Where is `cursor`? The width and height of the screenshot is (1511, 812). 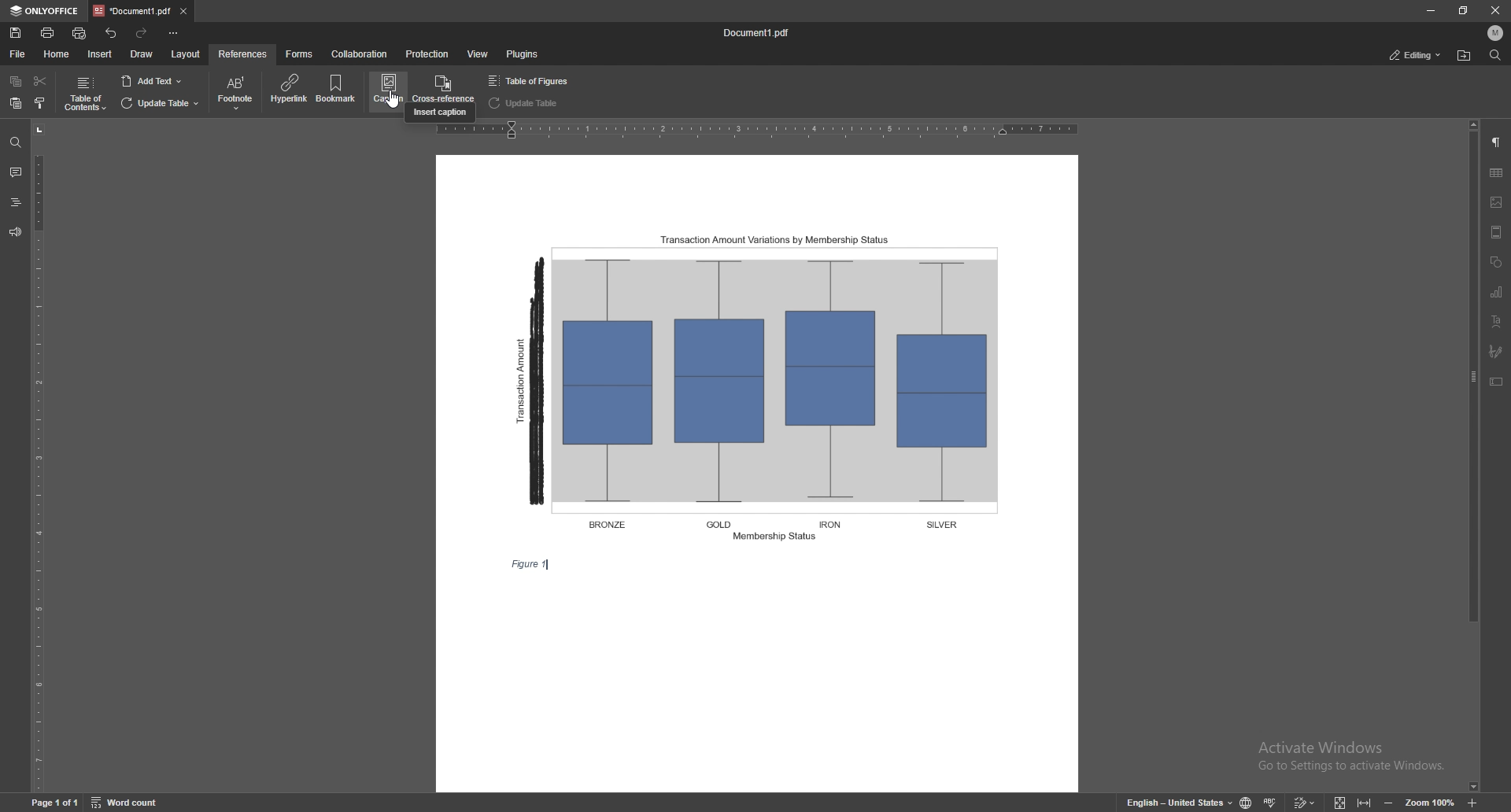 cursor is located at coordinates (395, 112).